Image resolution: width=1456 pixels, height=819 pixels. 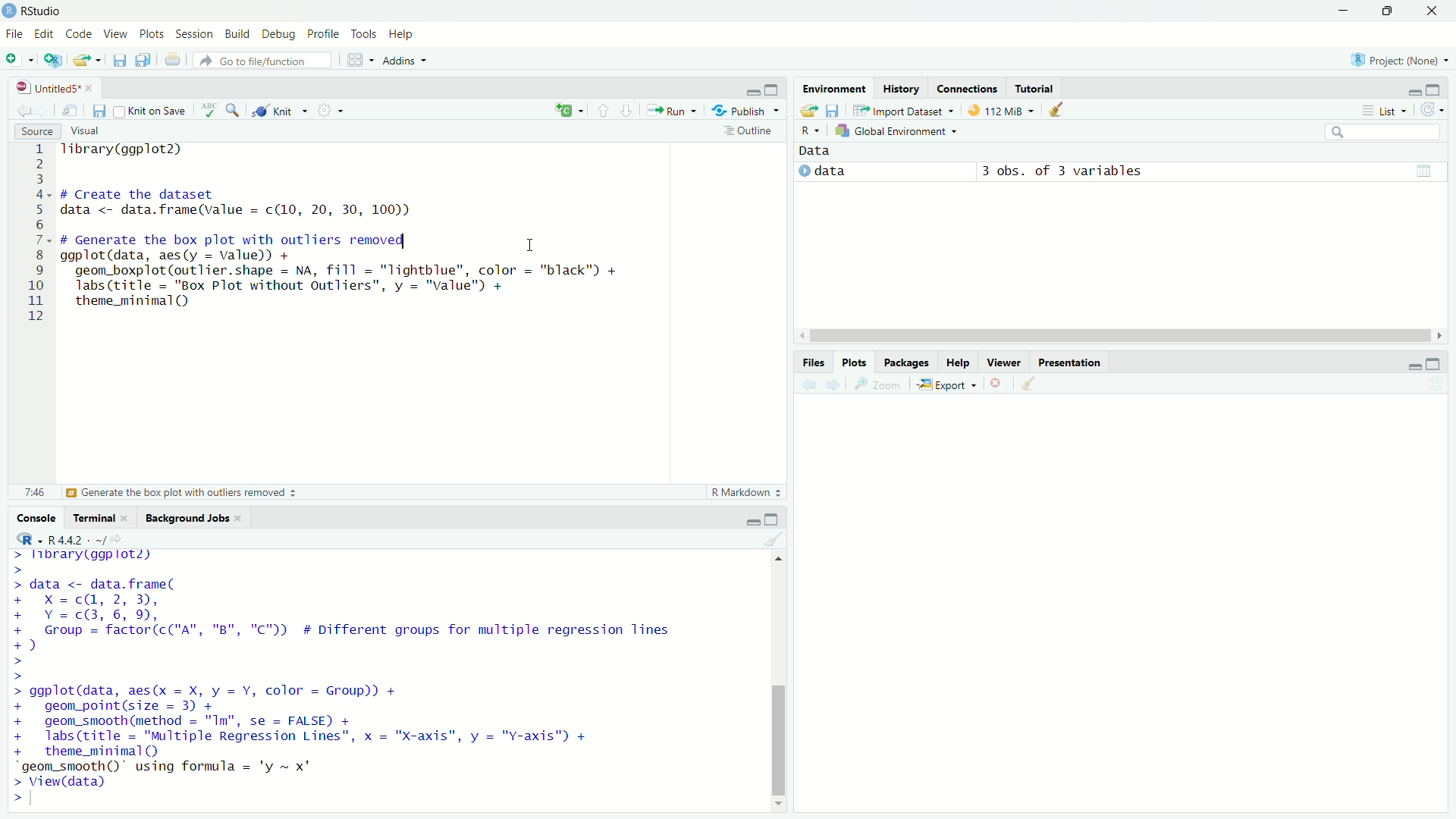 I want to click on print, so click(x=171, y=61).